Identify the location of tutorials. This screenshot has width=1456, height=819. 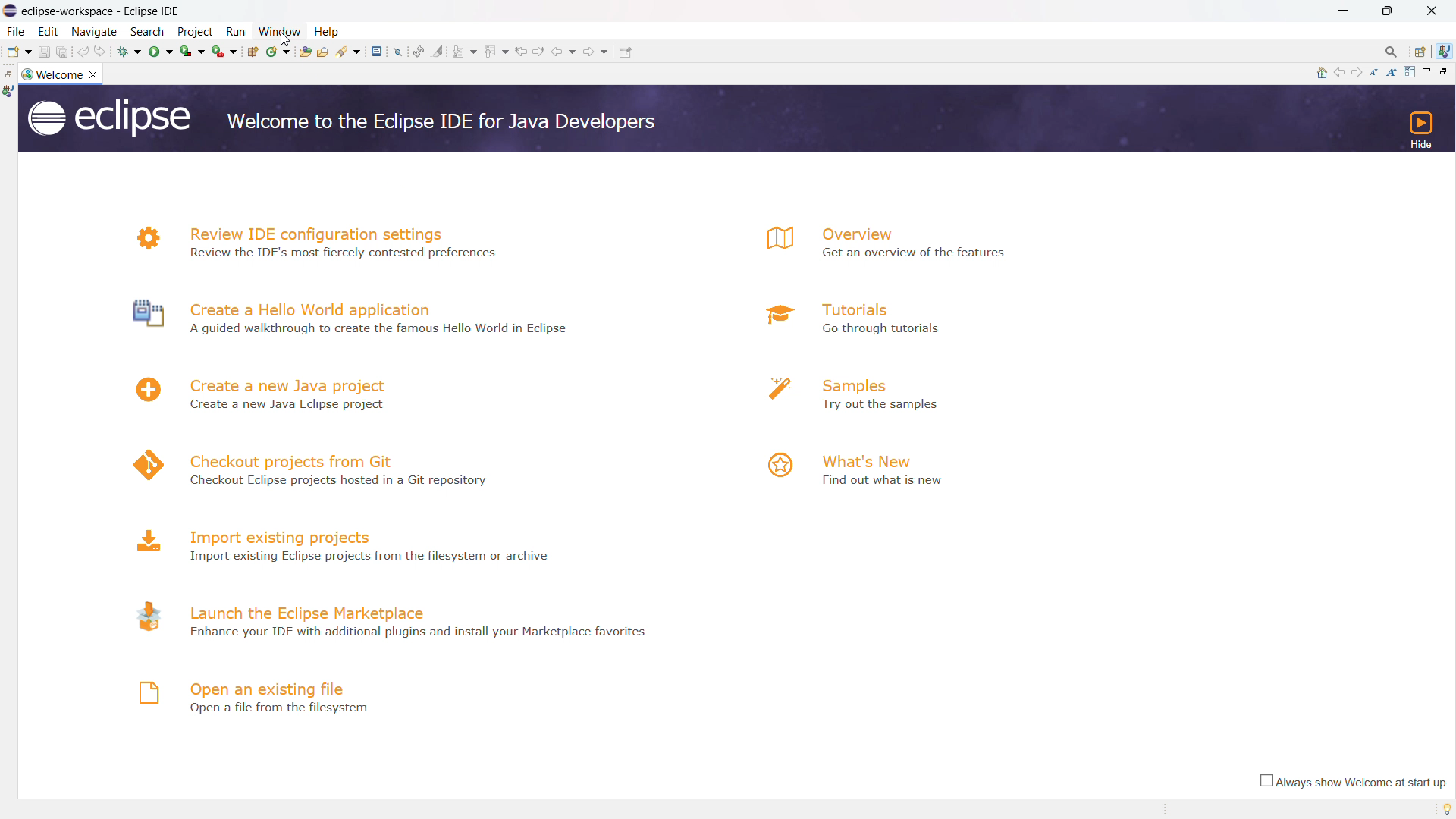
(854, 309).